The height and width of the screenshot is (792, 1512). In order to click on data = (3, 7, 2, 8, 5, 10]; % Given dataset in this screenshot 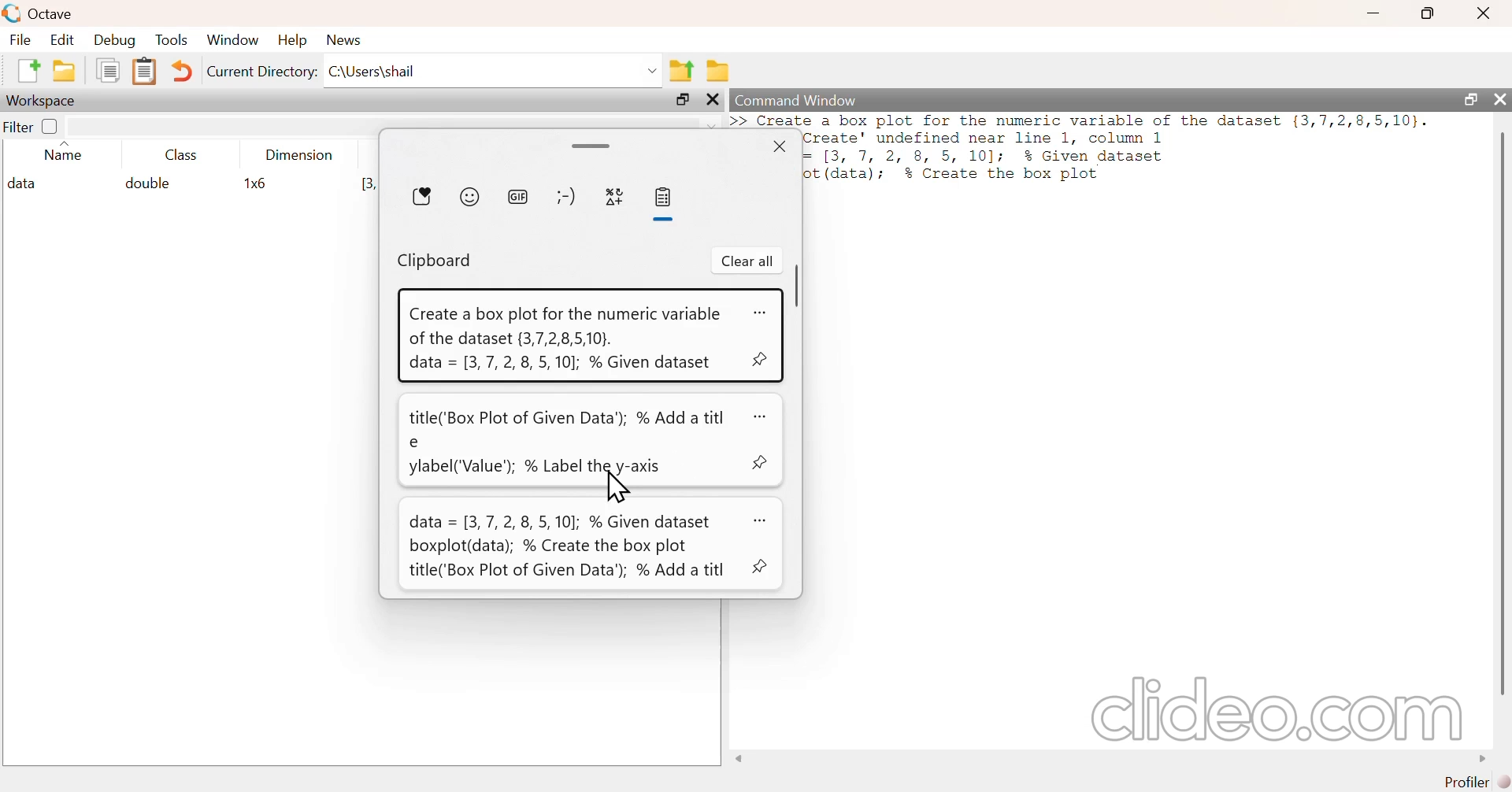, I will do `click(1084, 119)`.